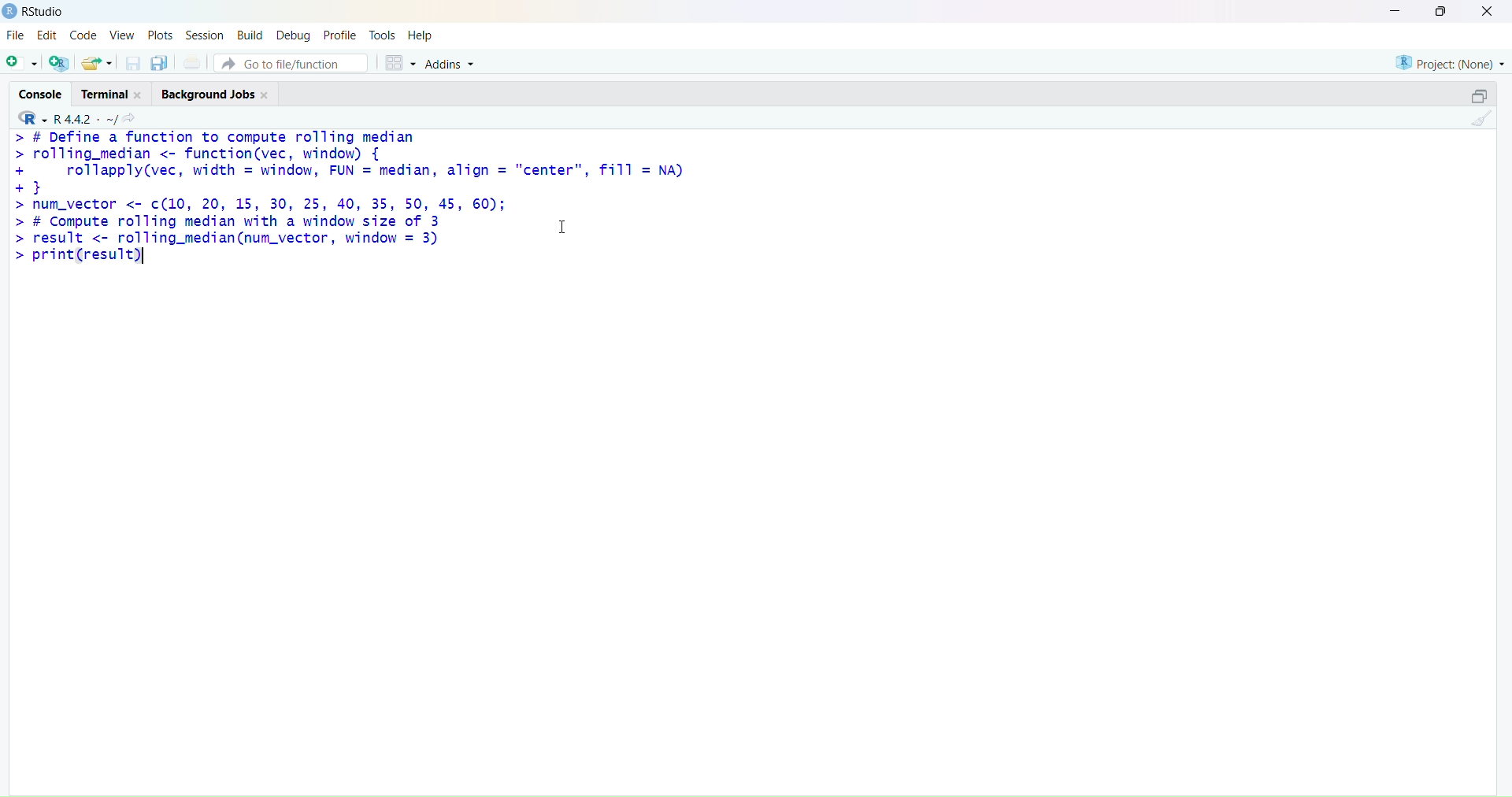 This screenshot has width=1512, height=797. I want to click on add file as, so click(22, 63).